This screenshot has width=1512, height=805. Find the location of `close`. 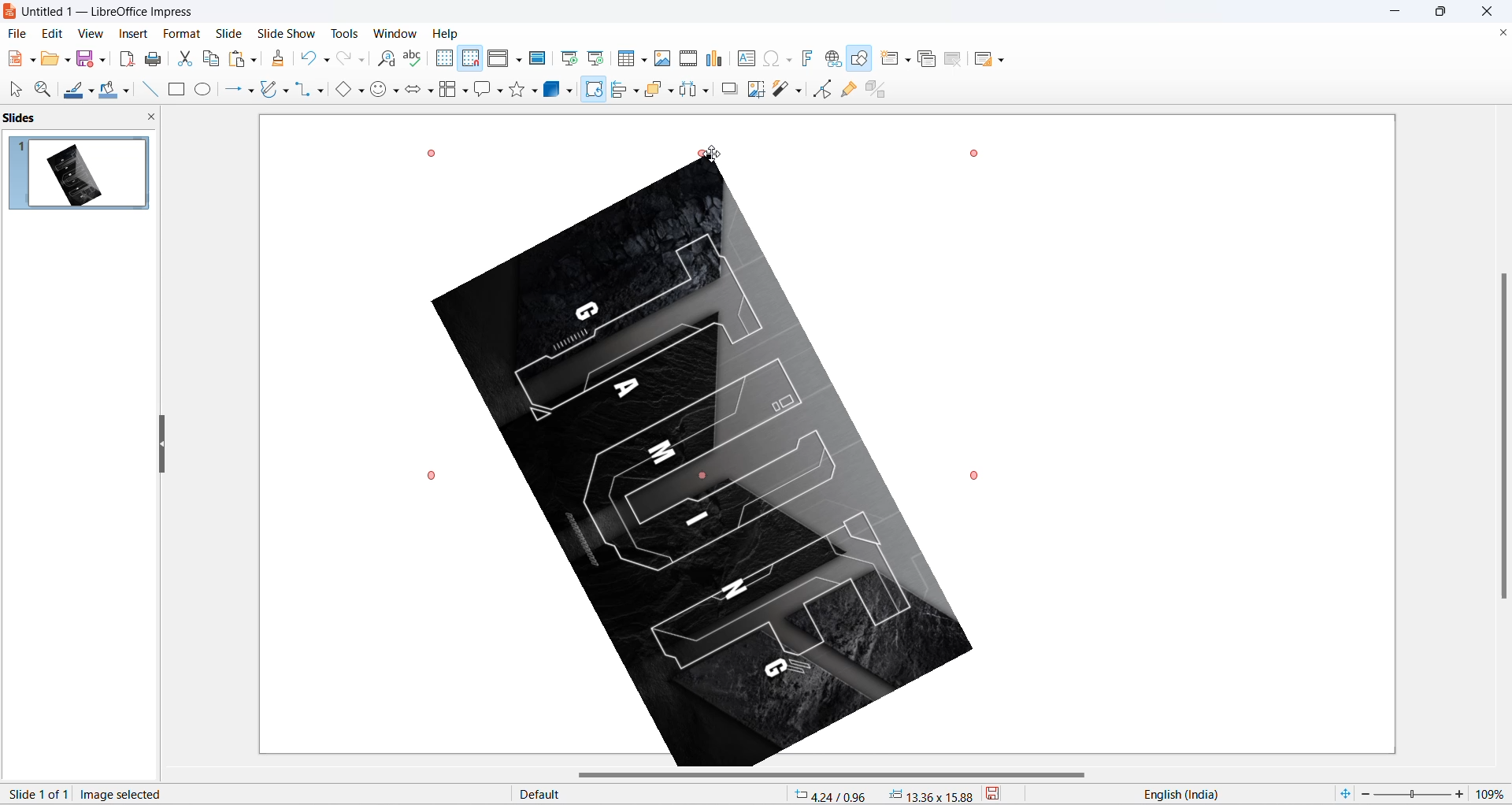

close is located at coordinates (1492, 11).